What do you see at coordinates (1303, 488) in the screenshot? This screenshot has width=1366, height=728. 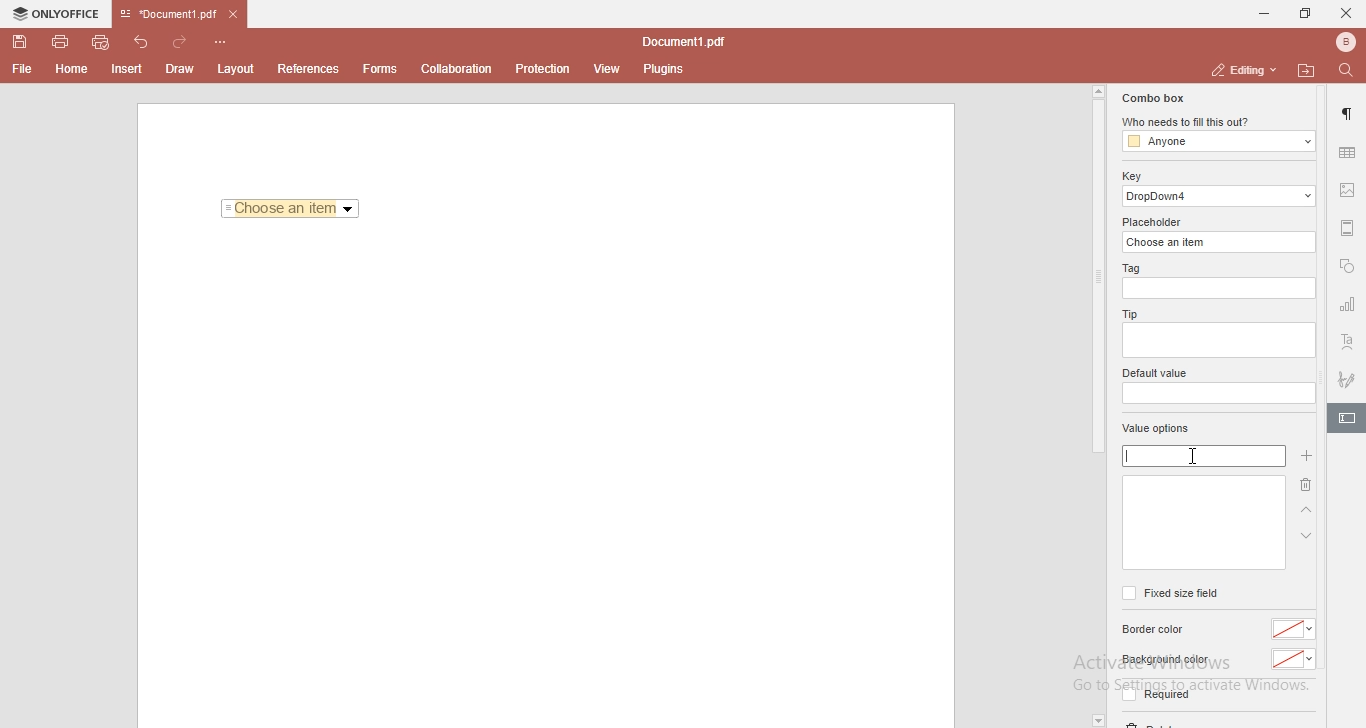 I see `delete` at bounding box center [1303, 488].